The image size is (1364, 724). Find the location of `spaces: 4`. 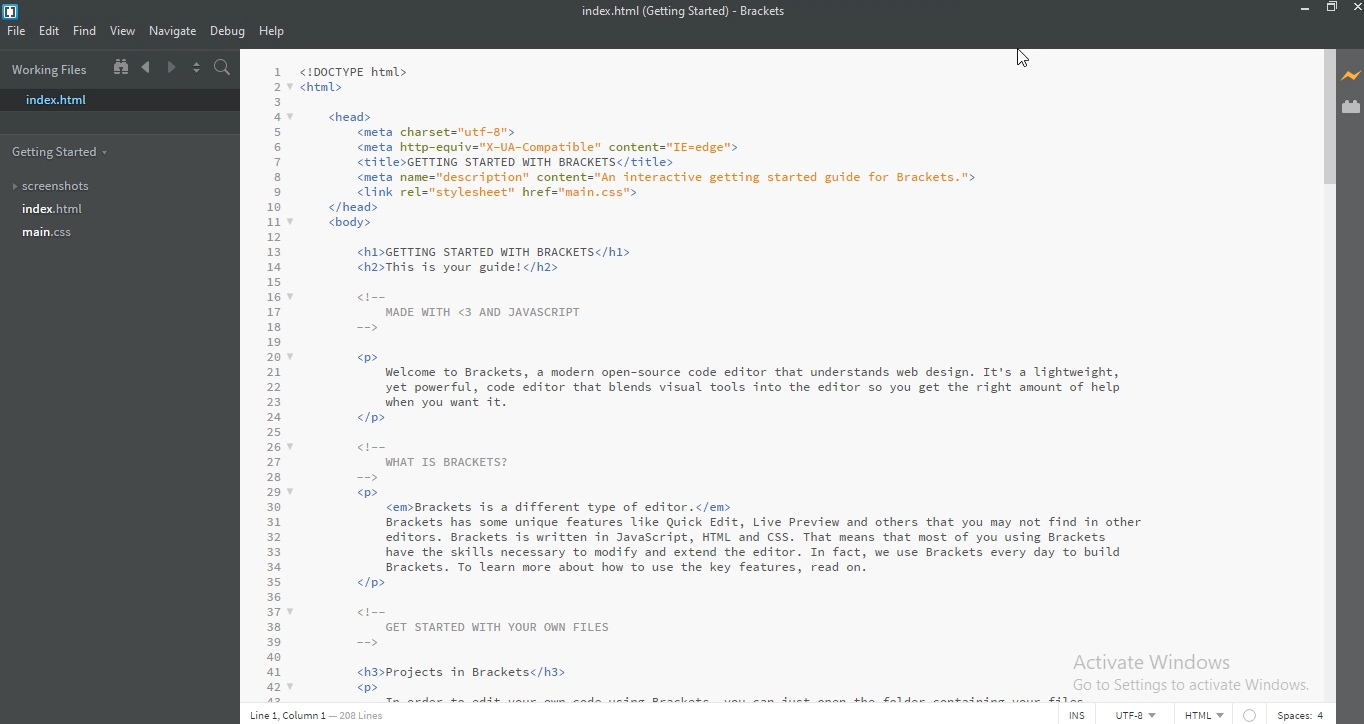

spaces: 4 is located at coordinates (1298, 714).